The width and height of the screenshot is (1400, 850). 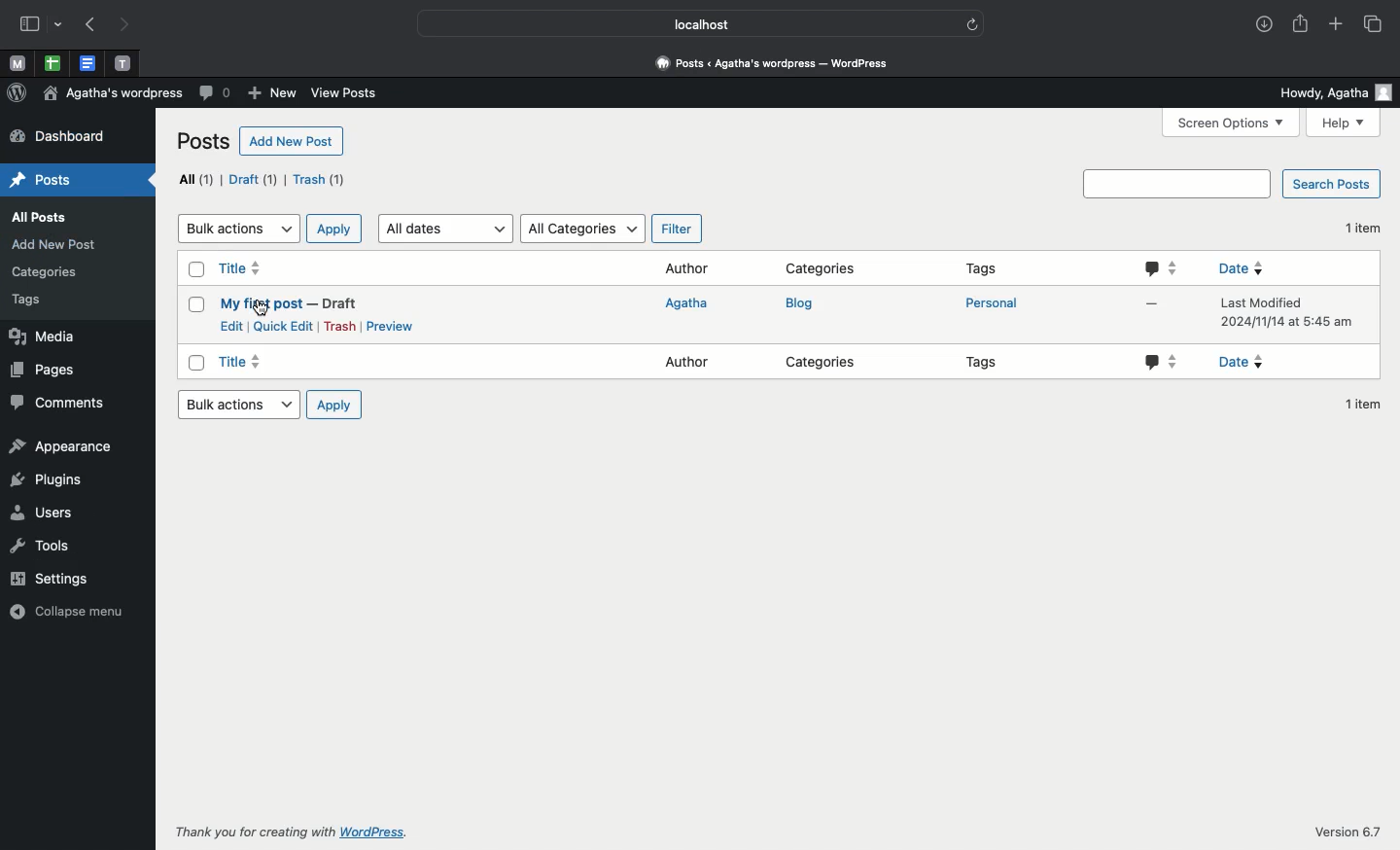 What do you see at coordinates (974, 23) in the screenshot?
I see `refresh` at bounding box center [974, 23].